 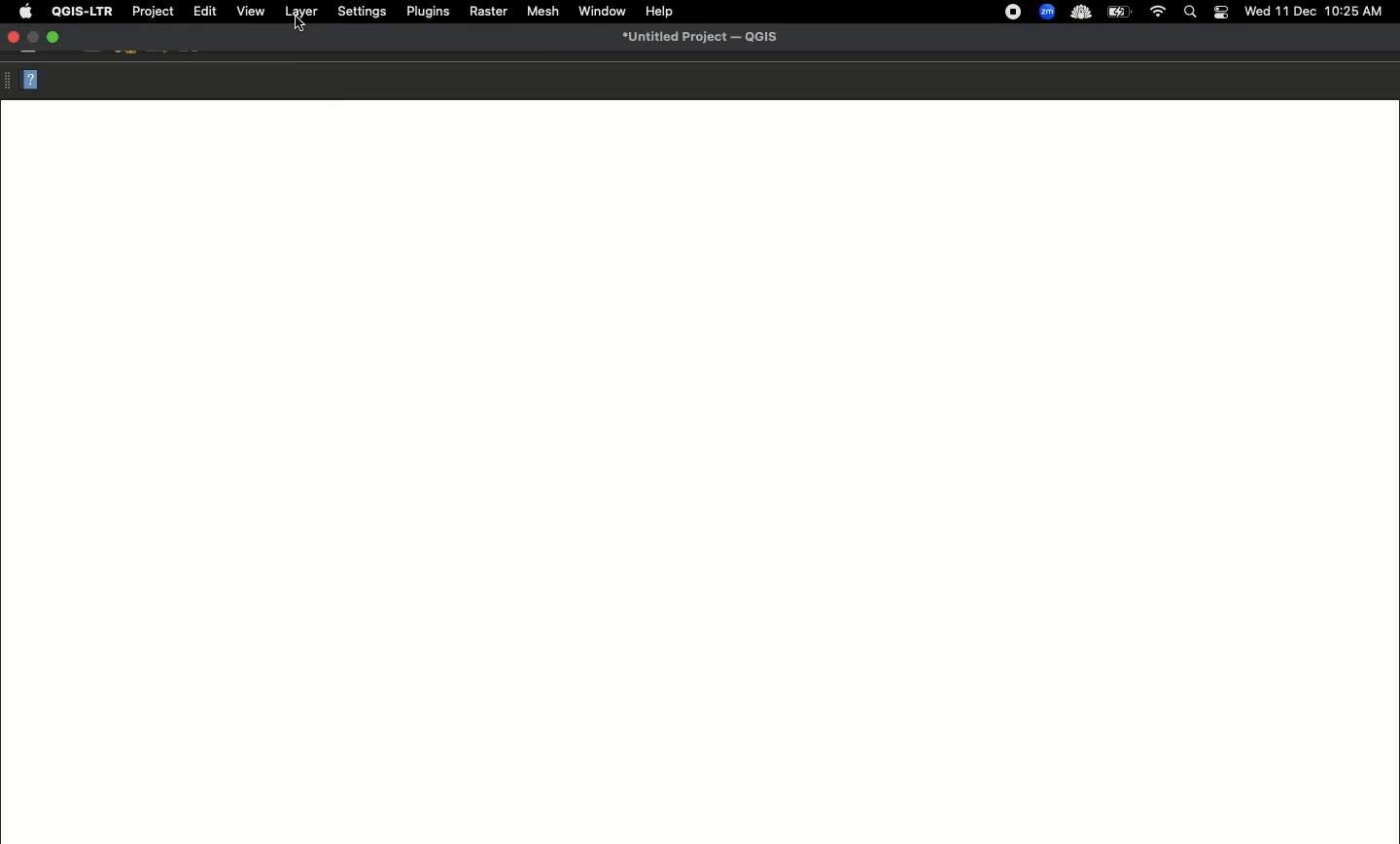 What do you see at coordinates (487, 11) in the screenshot?
I see `Raster` at bounding box center [487, 11].